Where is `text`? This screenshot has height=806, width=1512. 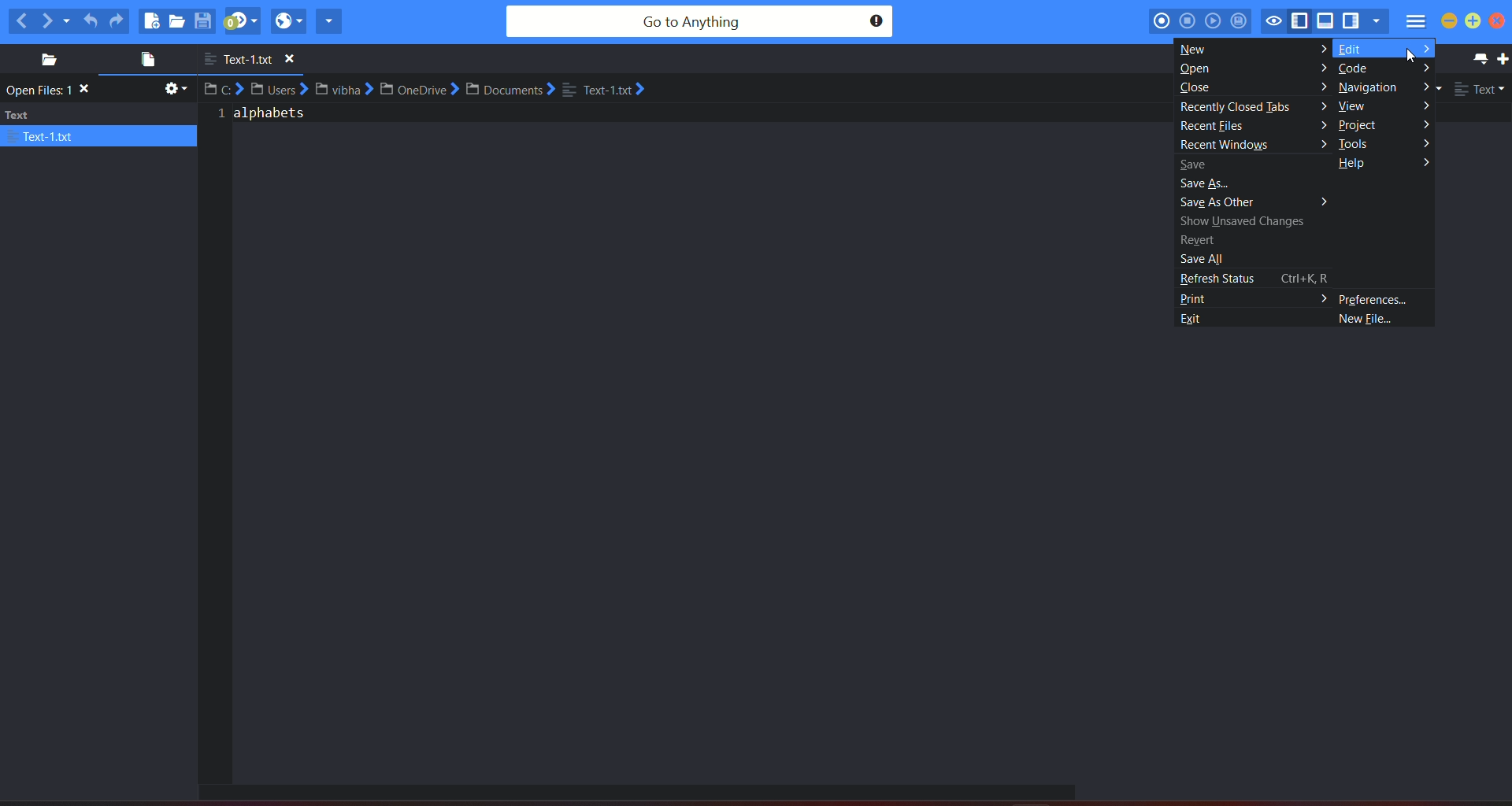 text is located at coordinates (266, 119).